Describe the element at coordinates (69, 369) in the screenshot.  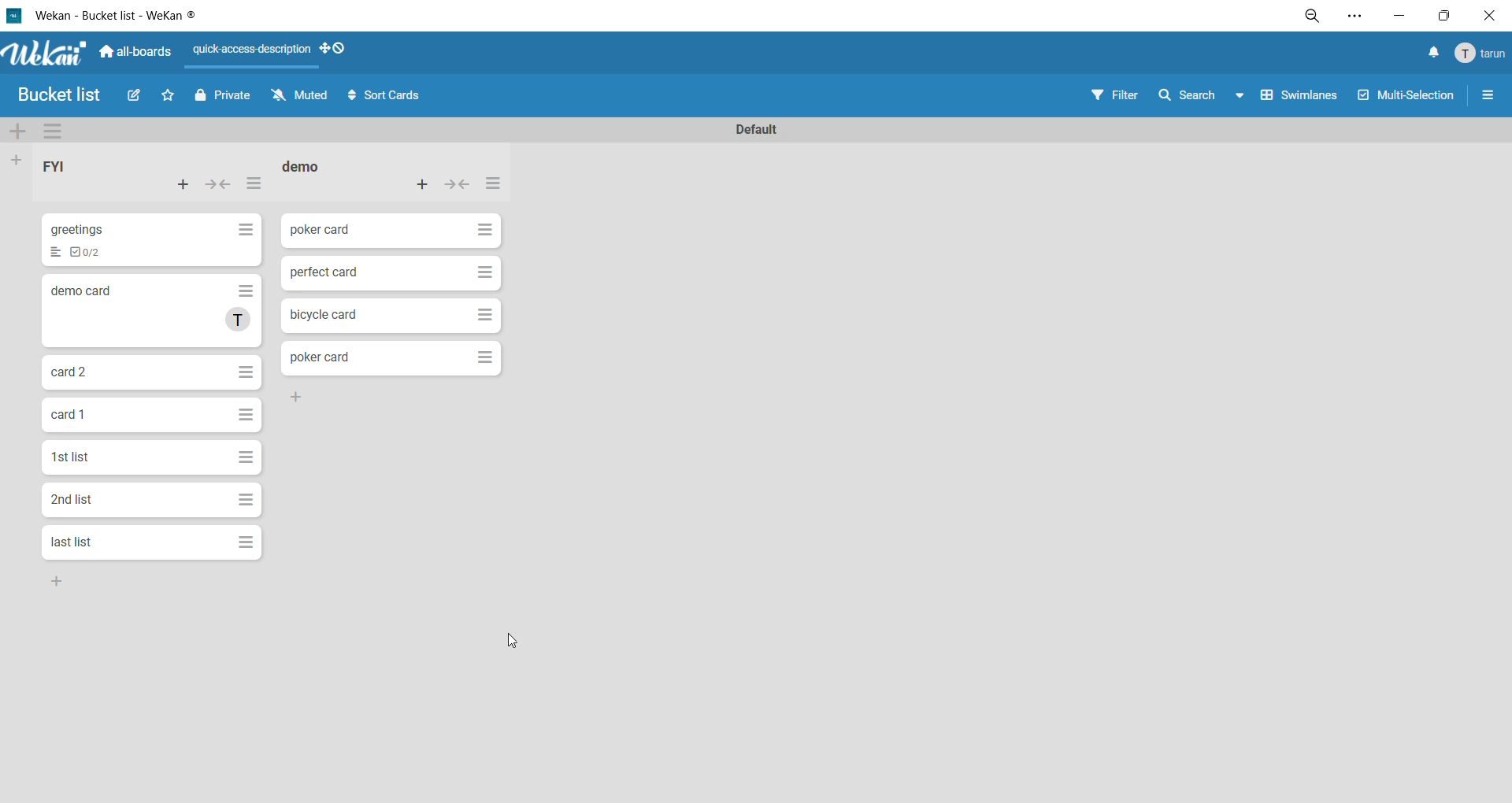
I see `card 2` at that location.